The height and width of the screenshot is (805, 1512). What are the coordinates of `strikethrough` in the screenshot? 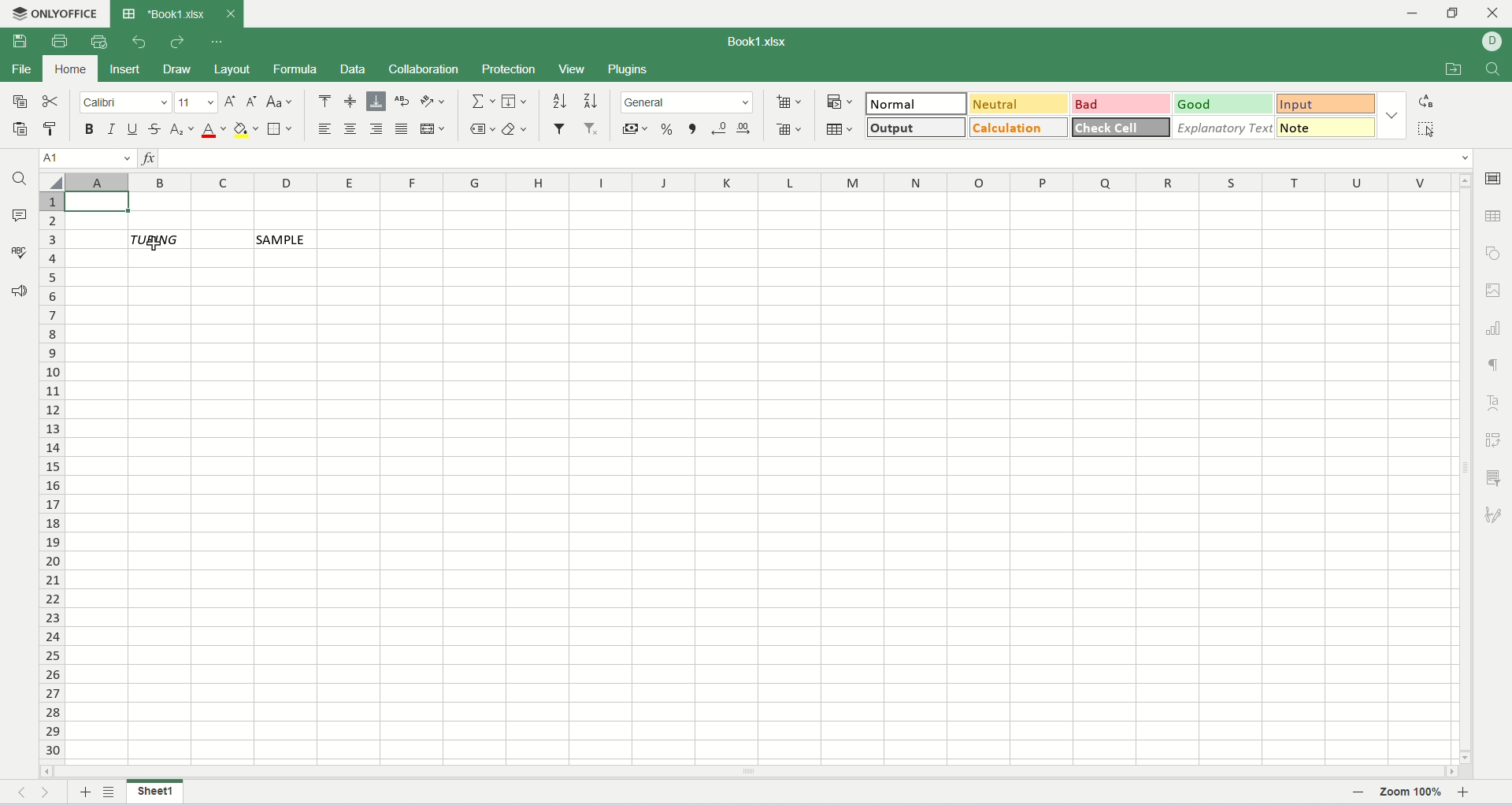 It's located at (157, 130).